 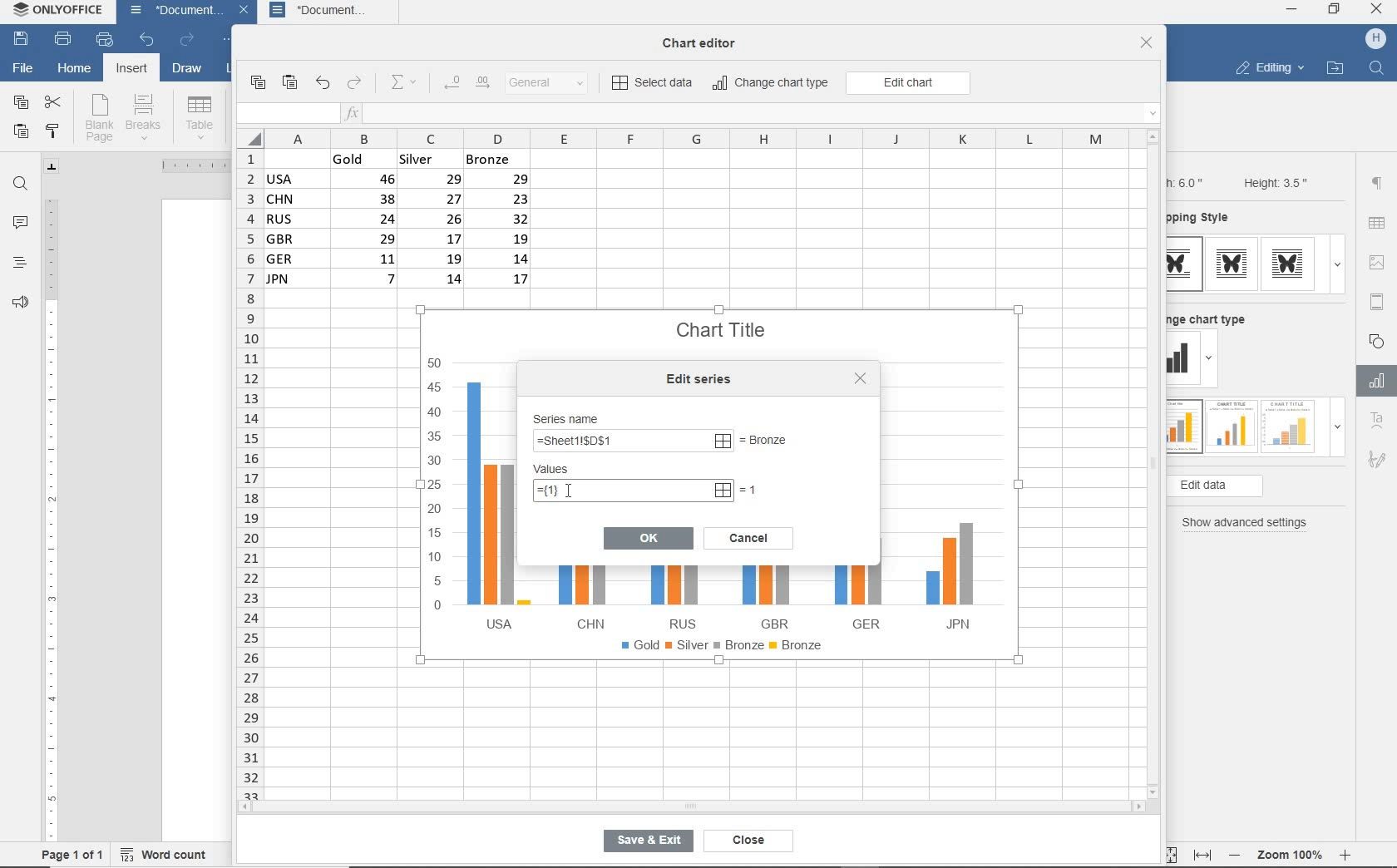 What do you see at coordinates (748, 536) in the screenshot?
I see `cancel` at bounding box center [748, 536].